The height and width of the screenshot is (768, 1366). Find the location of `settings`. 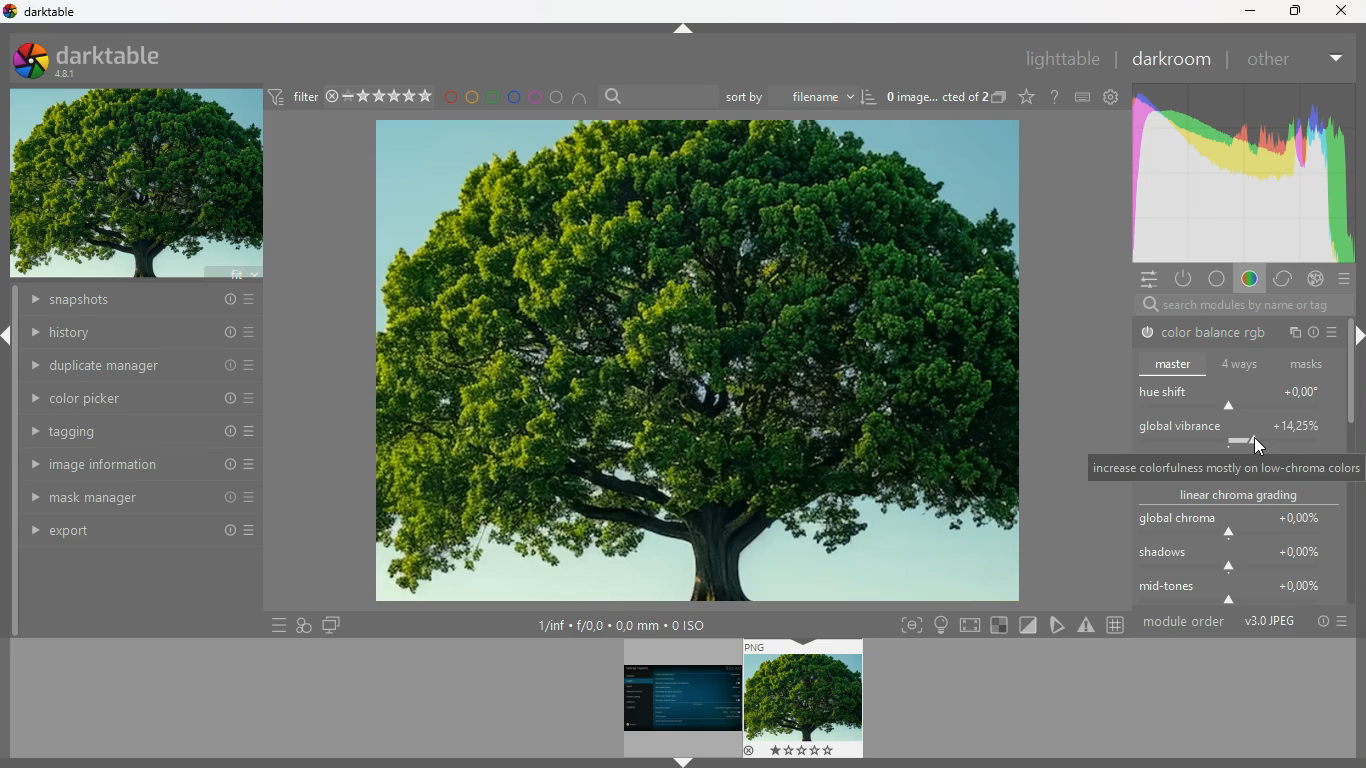

settings is located at coordinates (1144, 278).